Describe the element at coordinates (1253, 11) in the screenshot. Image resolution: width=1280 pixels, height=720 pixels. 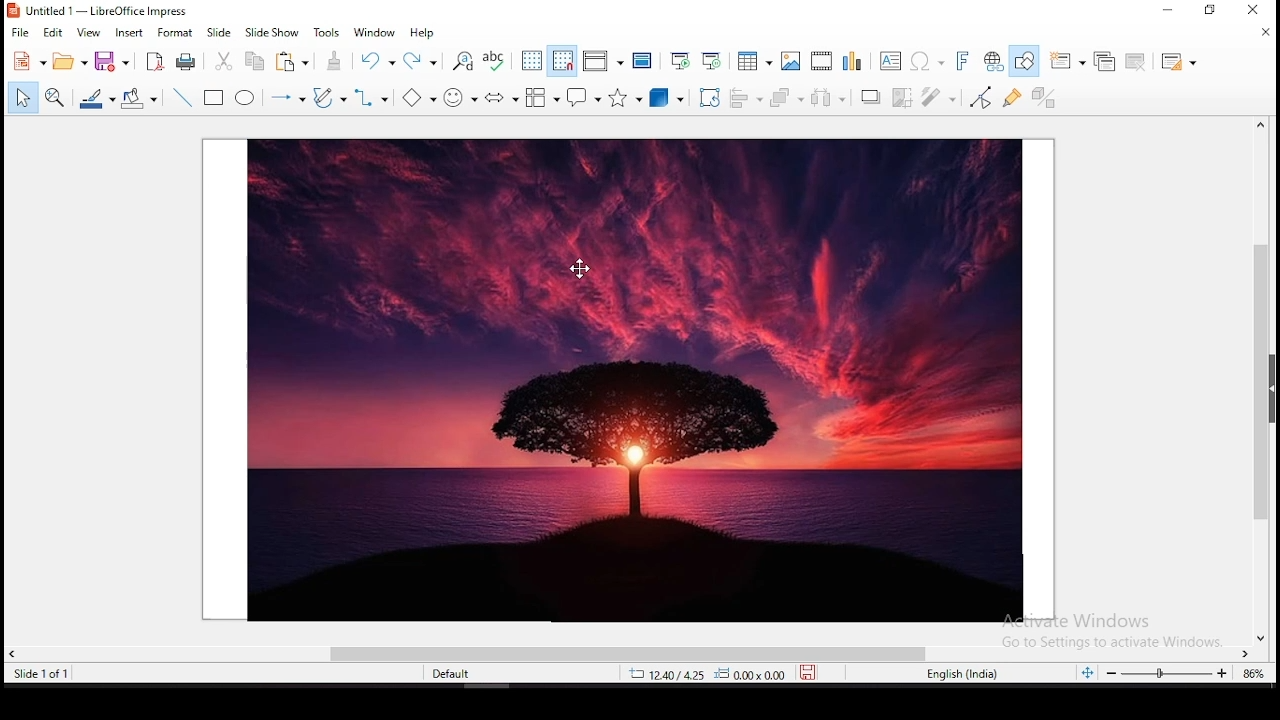
I see `close window` at that location.